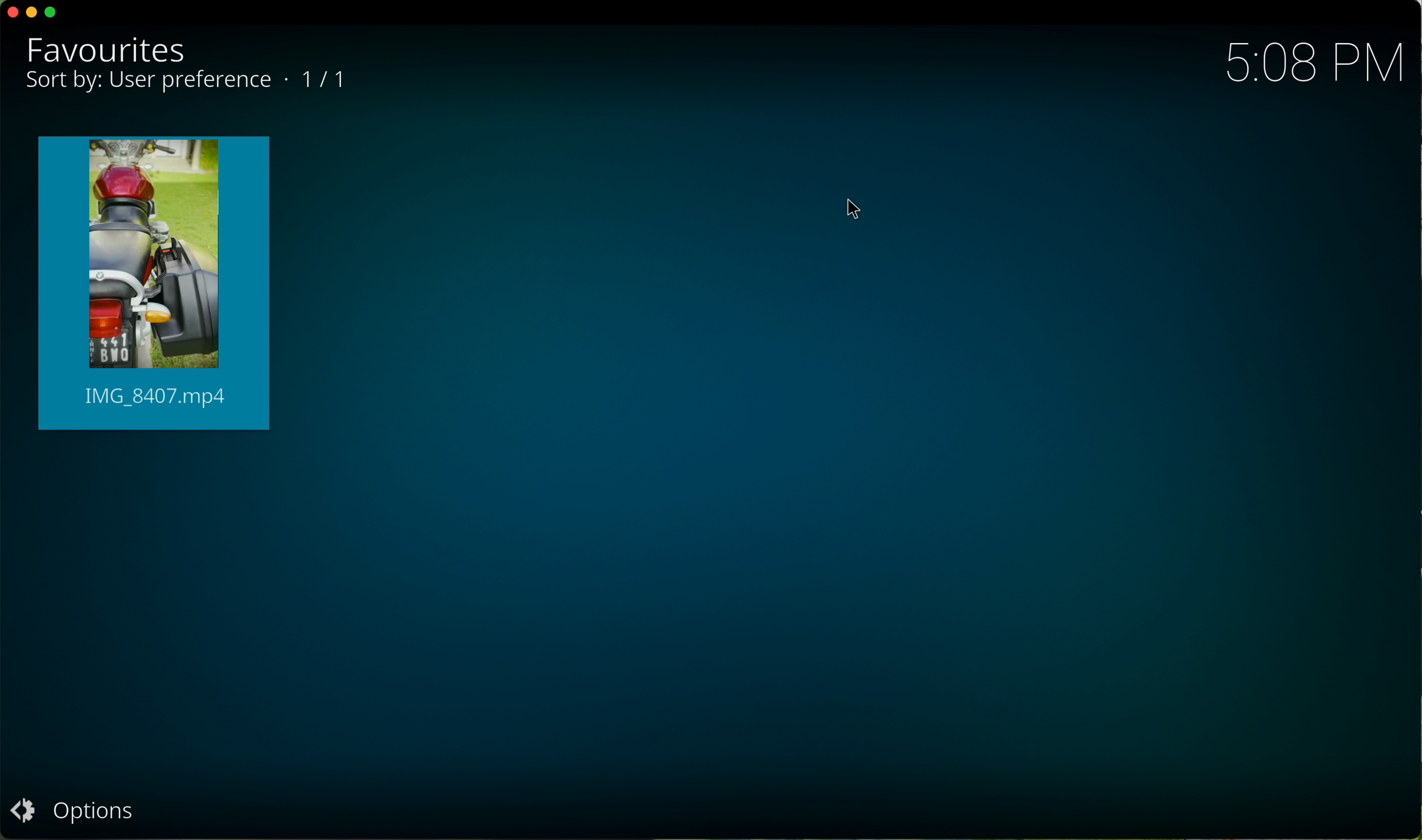 The height and width of the screenshot is (840, 1422). What do you see at coordinates (111, 51) in the screenshot?
I see `favourites` at bounding box center [111, 51].